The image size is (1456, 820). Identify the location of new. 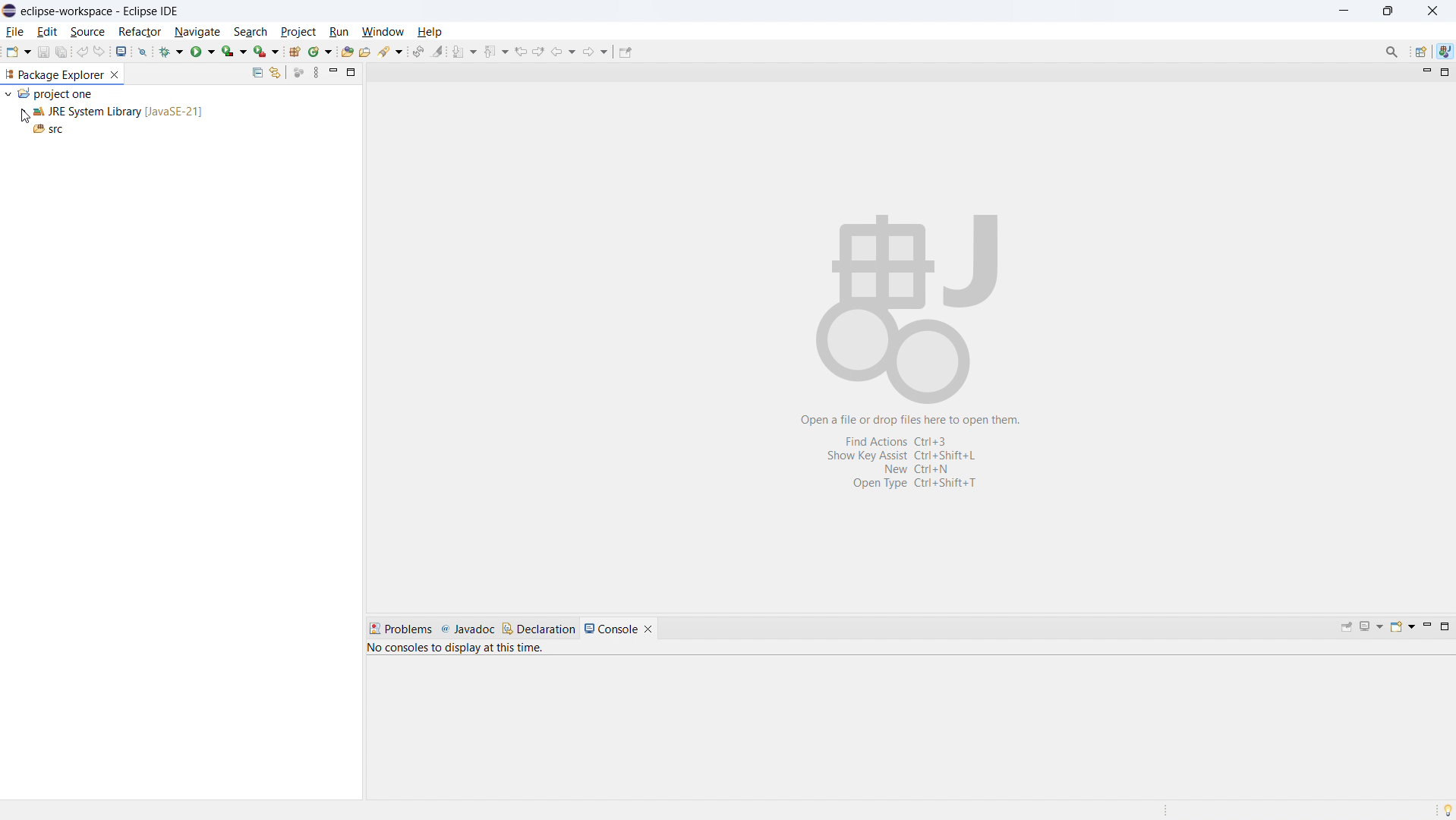
(17, 52).